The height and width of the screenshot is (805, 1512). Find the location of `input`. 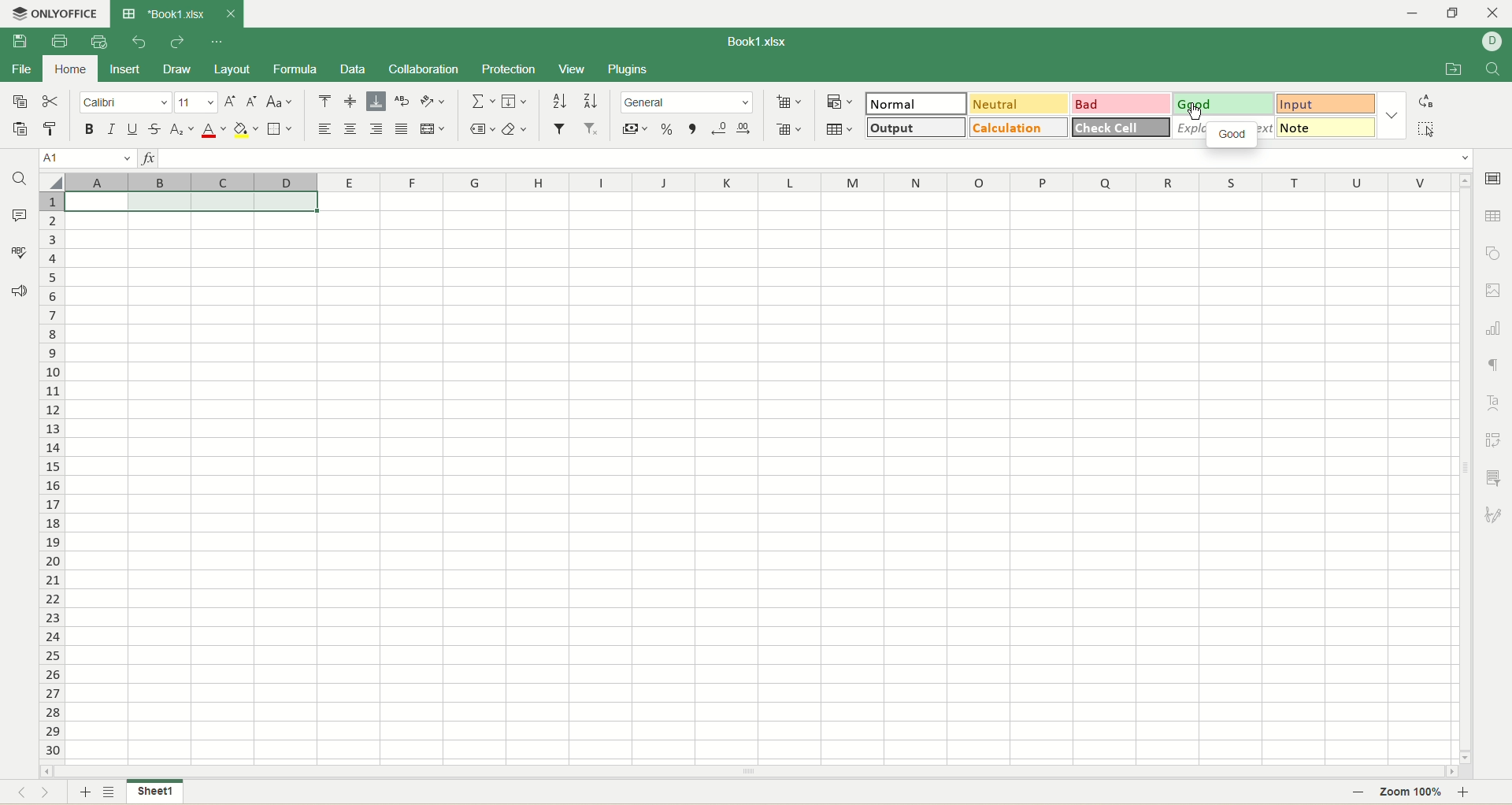

input is located at coordinates (1326, 105).